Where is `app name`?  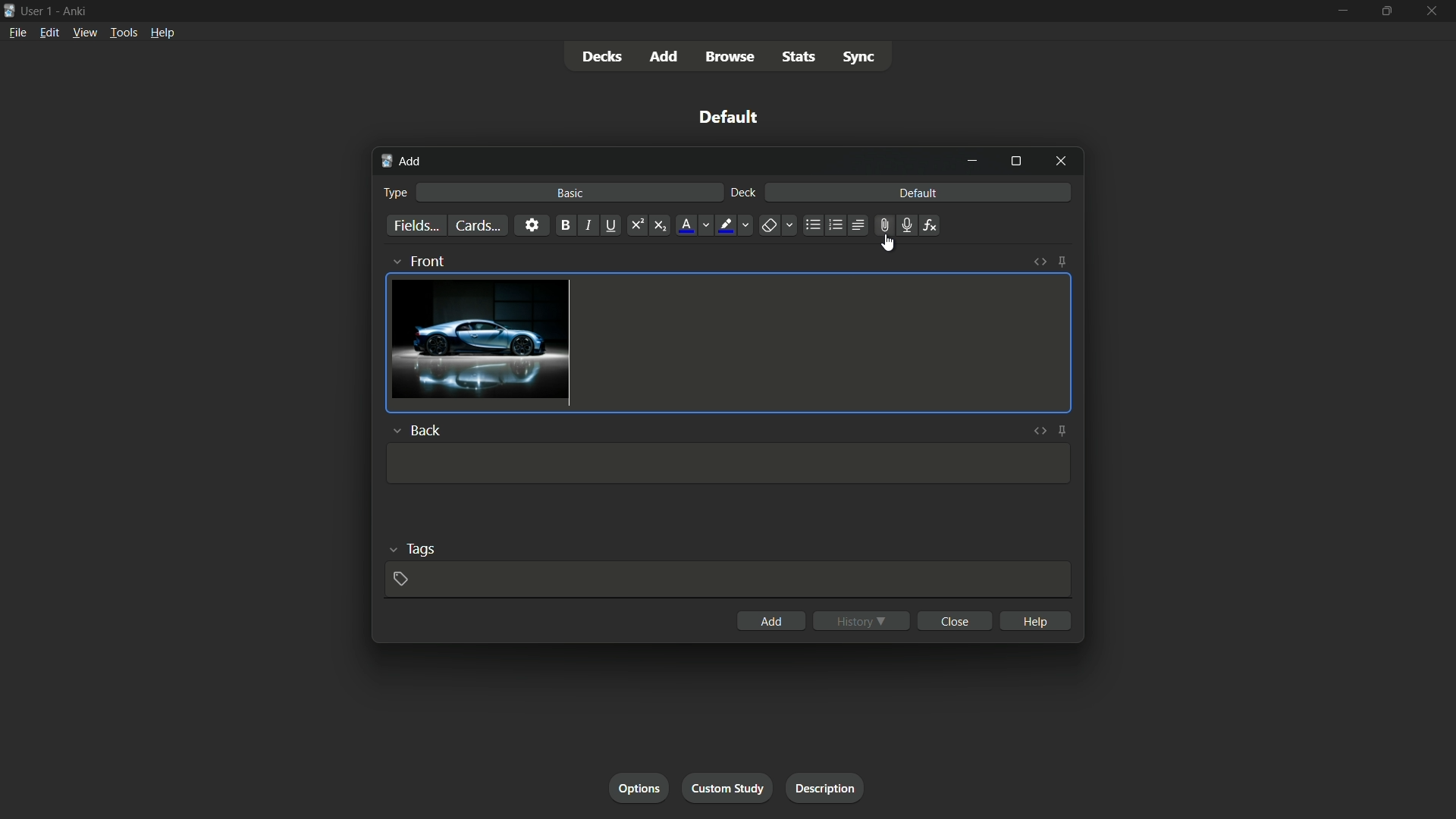 app name is located at coordinates (77, 9).